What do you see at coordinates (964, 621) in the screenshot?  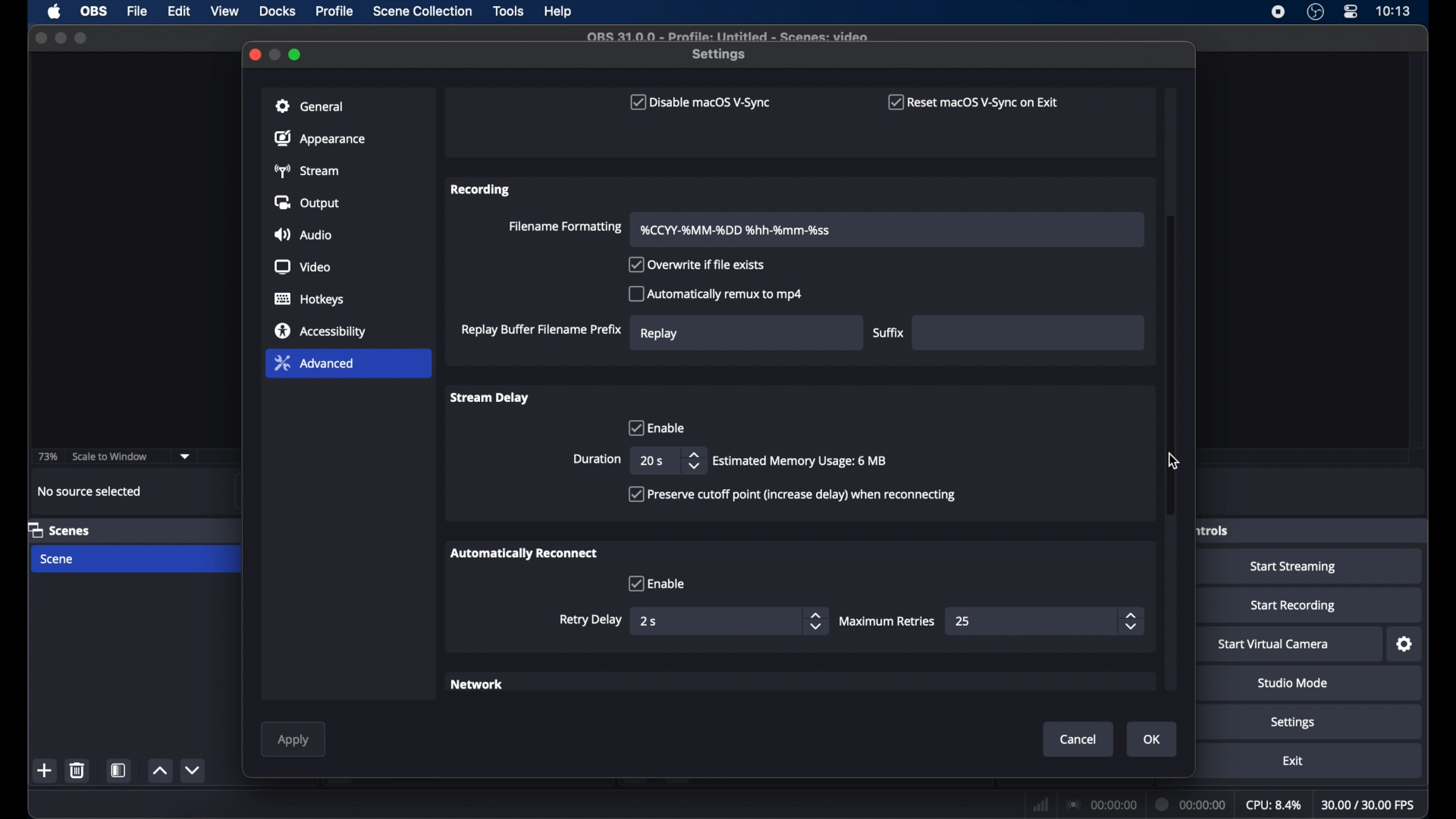 I see `25` at bounding box center [964, 621].